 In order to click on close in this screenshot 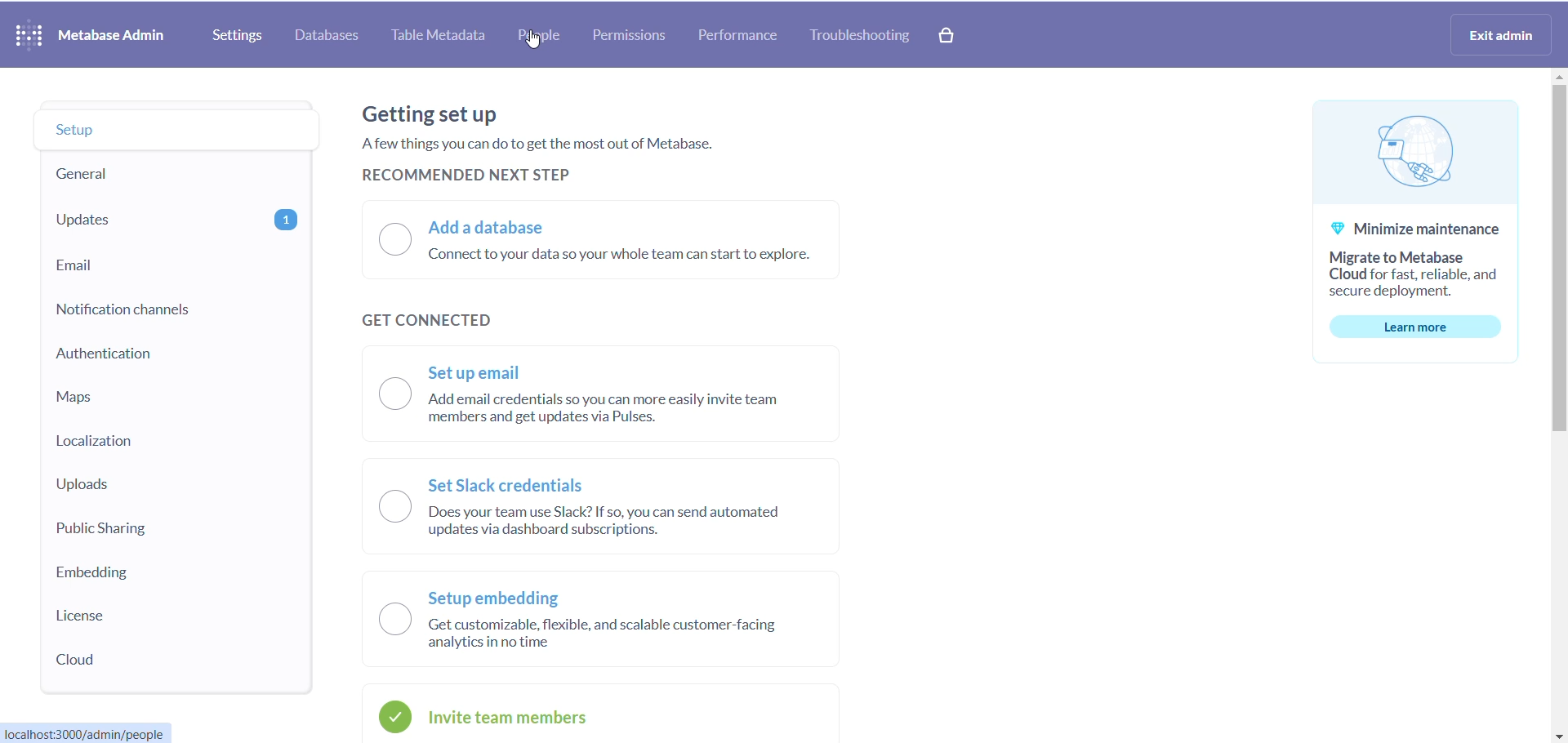, I will do `click(1558, 737)`.